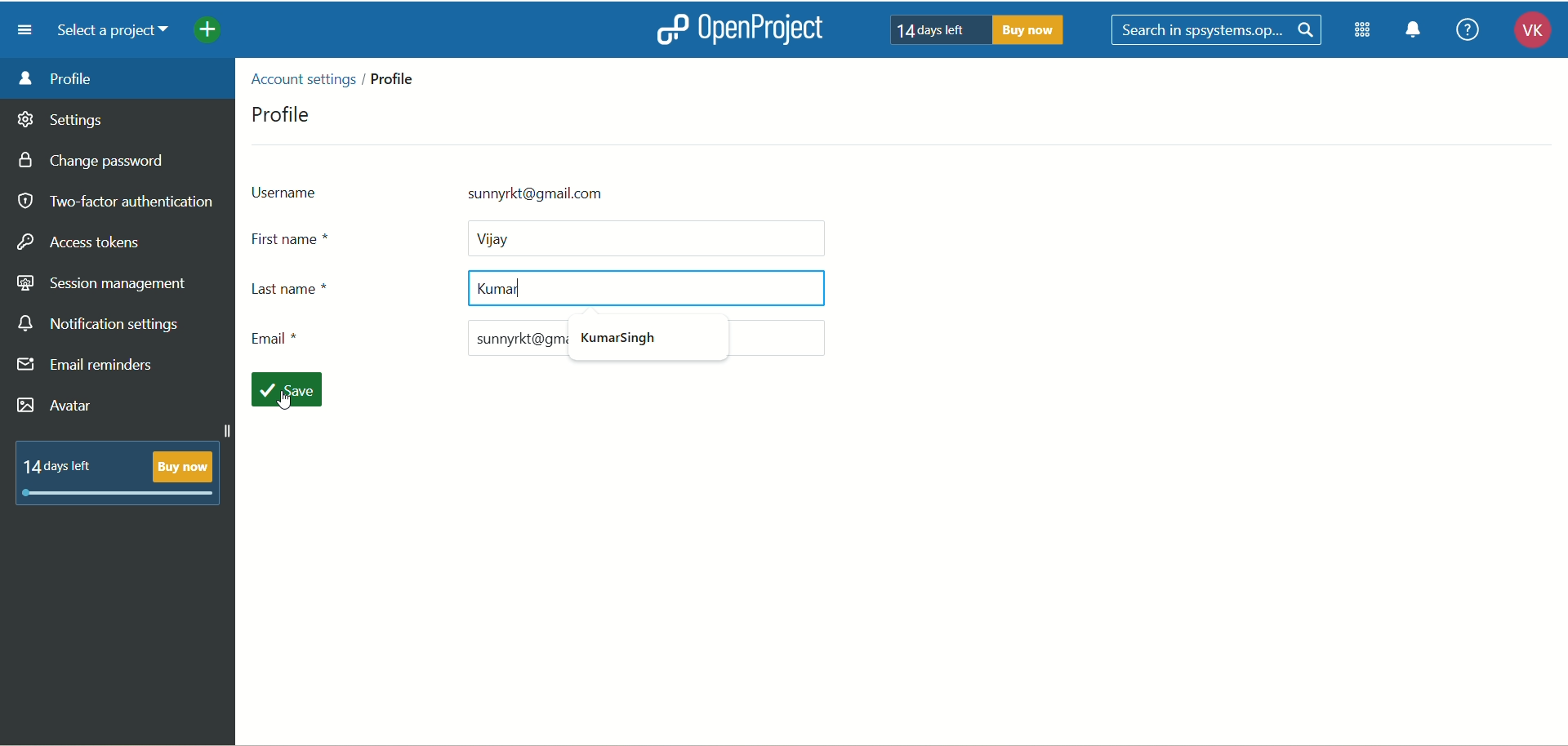 The image size is (1568, 746). What do you see at coordinates (310, 292) in the screenshot?
I see `last name` at bounding box center [310, 292].